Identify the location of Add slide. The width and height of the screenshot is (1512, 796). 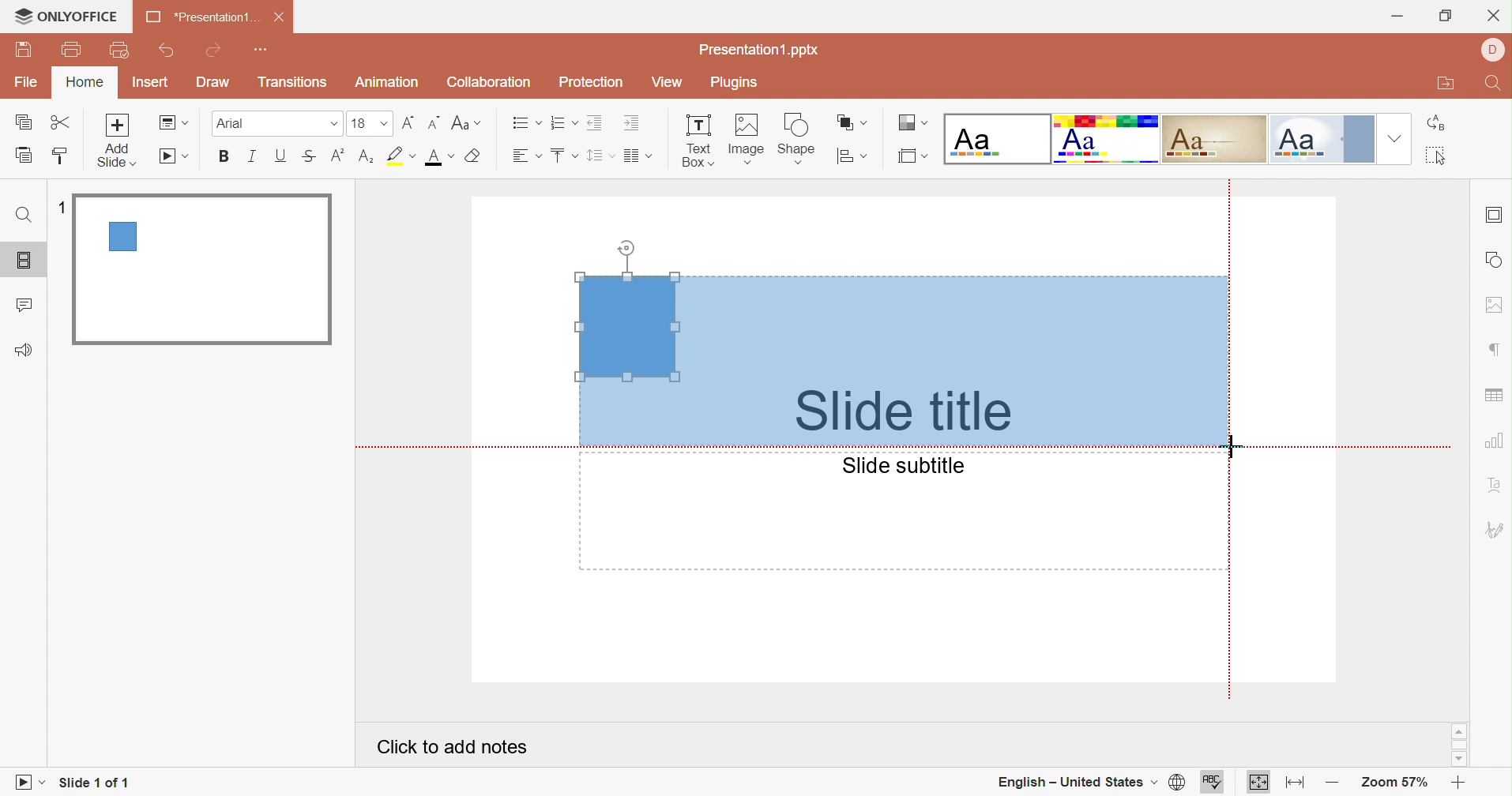
(115, 139).